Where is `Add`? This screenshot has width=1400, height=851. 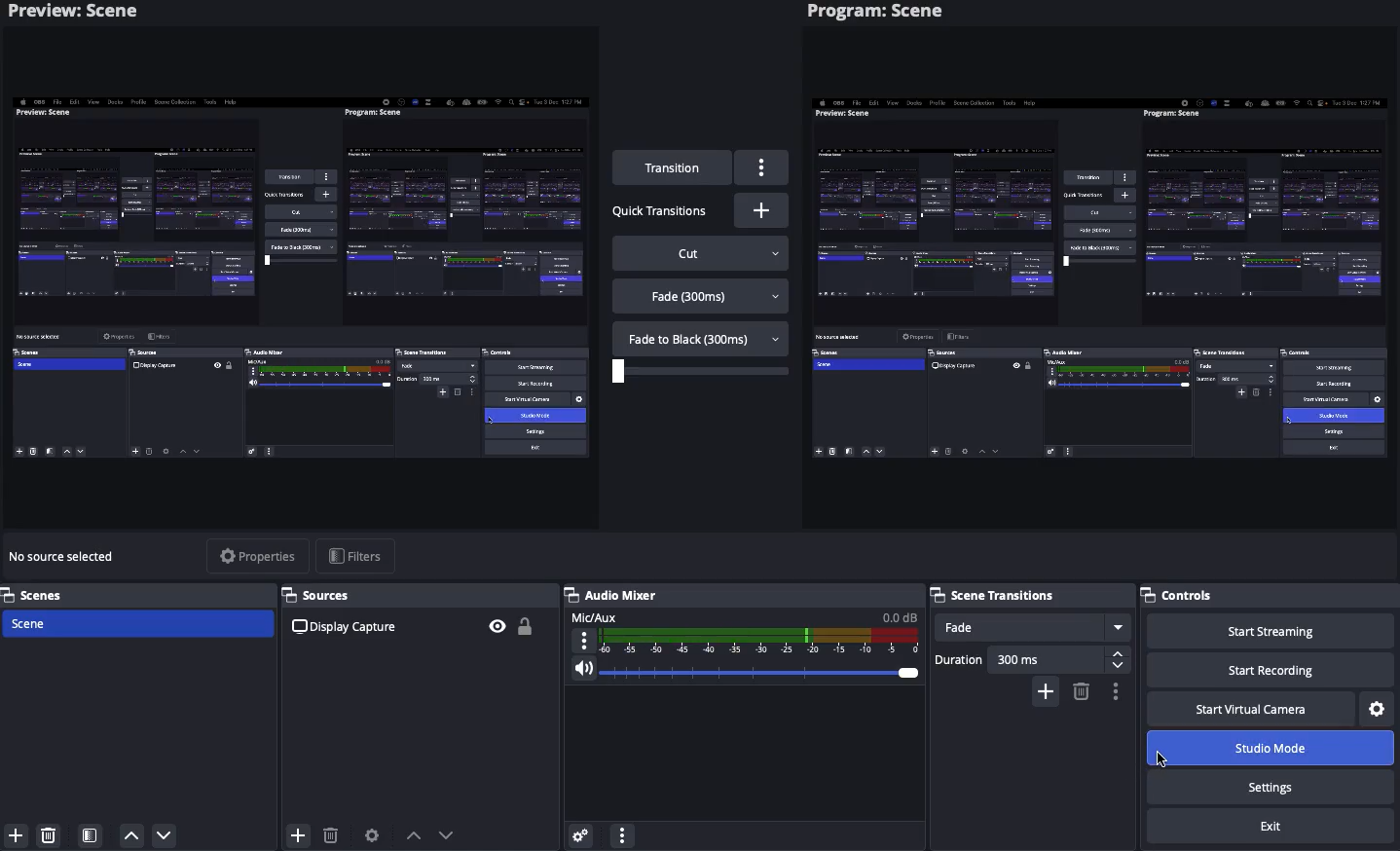
Add is located at coordinates (1046, 692).